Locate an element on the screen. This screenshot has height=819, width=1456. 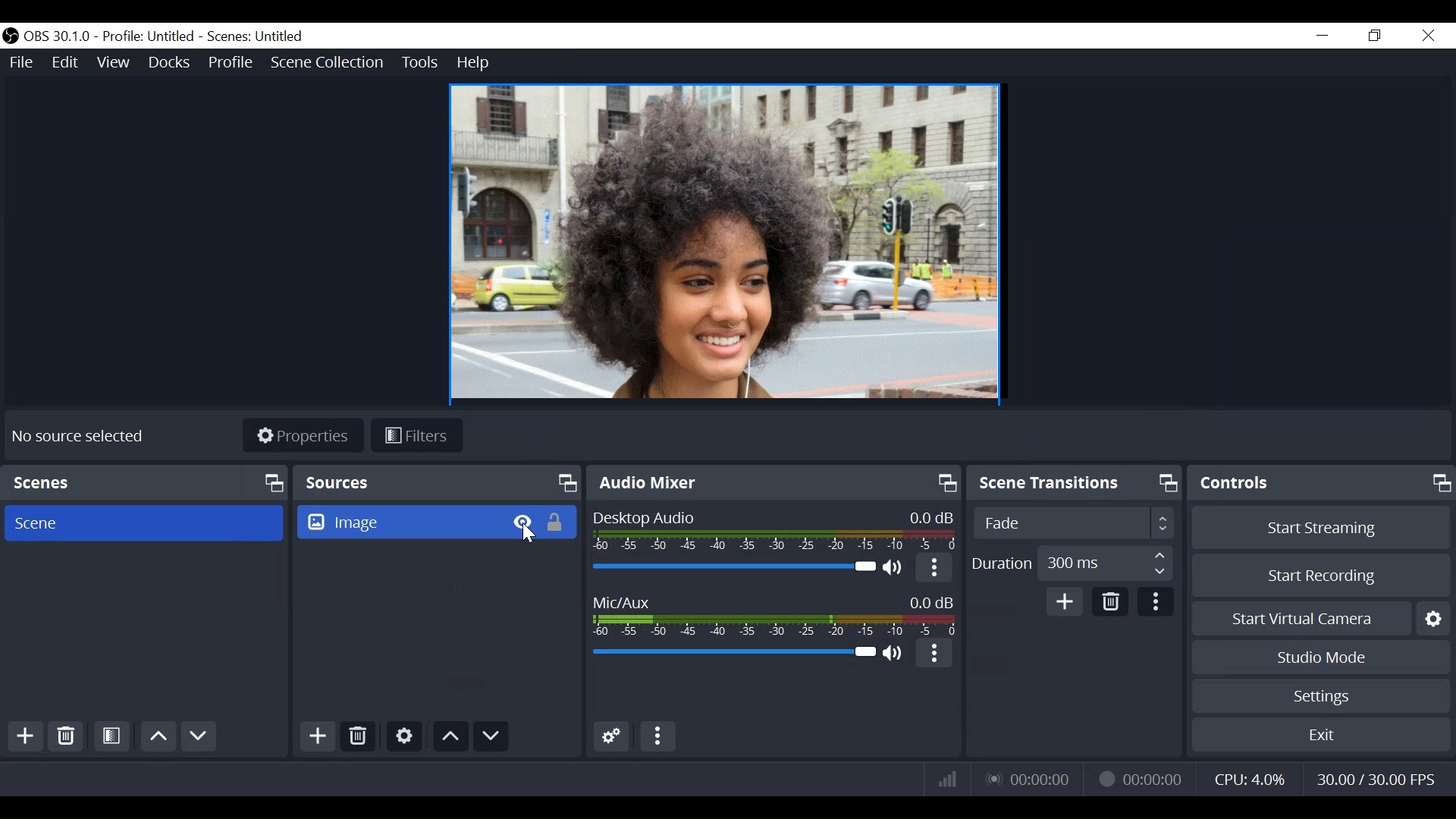
Desktop Audio is located at coordinates (773, 530).